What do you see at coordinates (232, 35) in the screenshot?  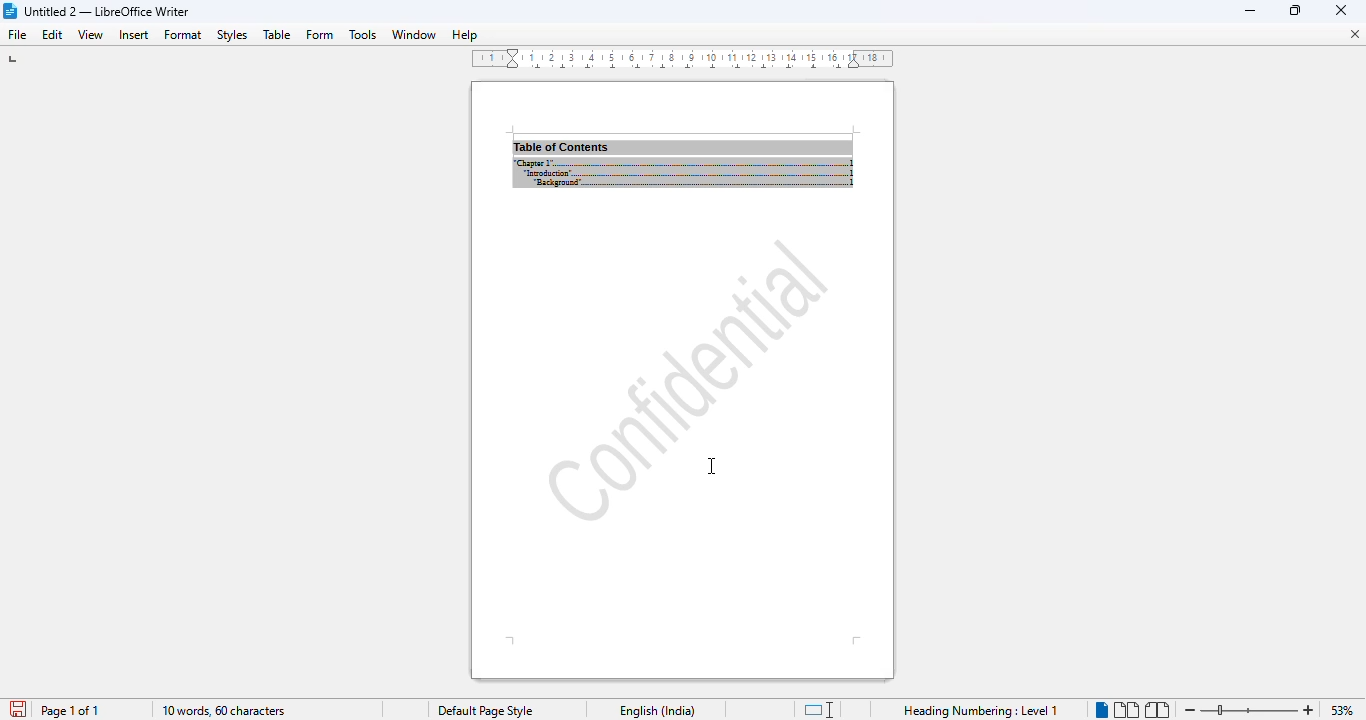 I see `styles` at bounding box center [232, 35].